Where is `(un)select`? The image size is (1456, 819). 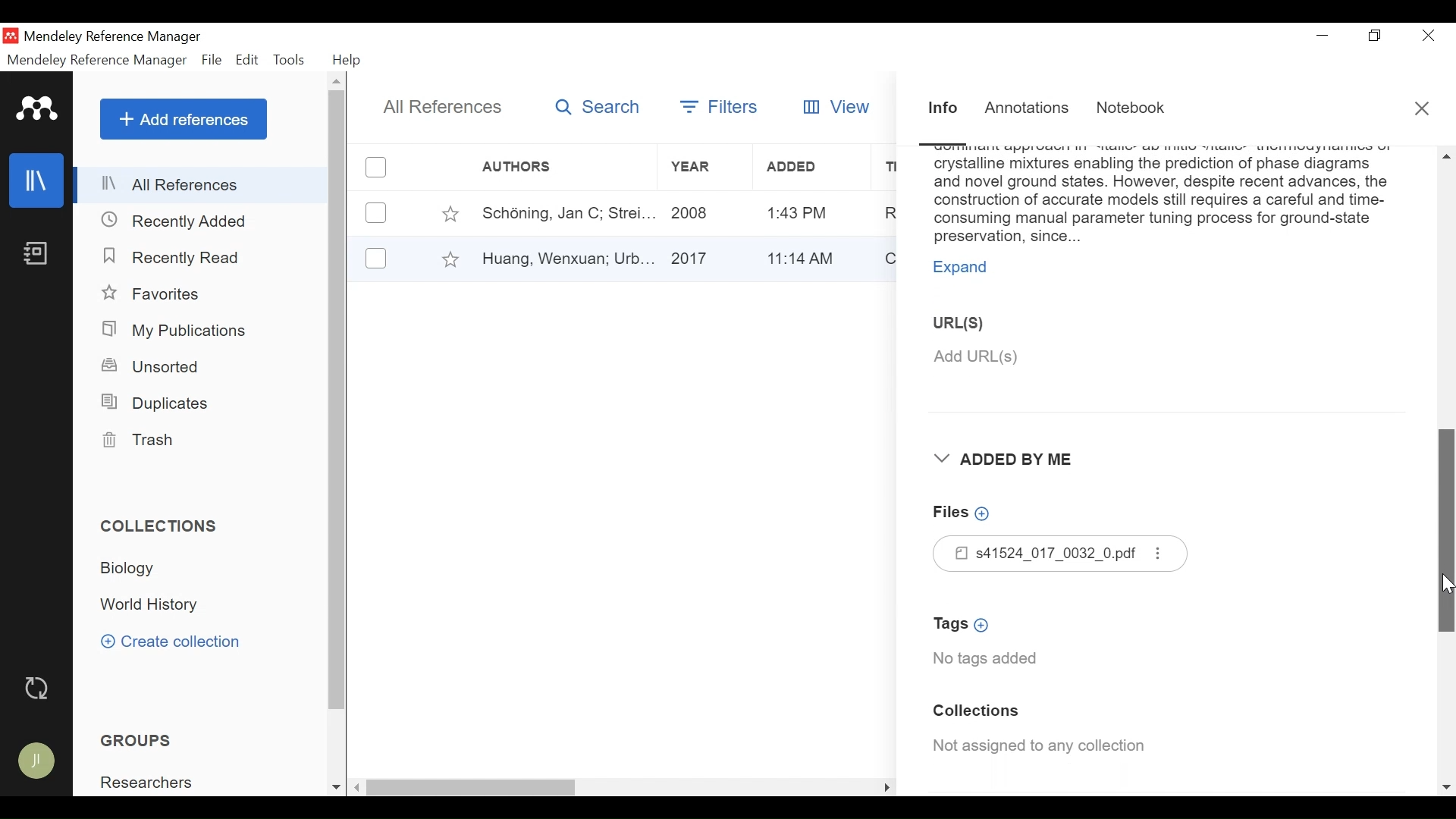 (un)select is located at coordinates (376, 258).